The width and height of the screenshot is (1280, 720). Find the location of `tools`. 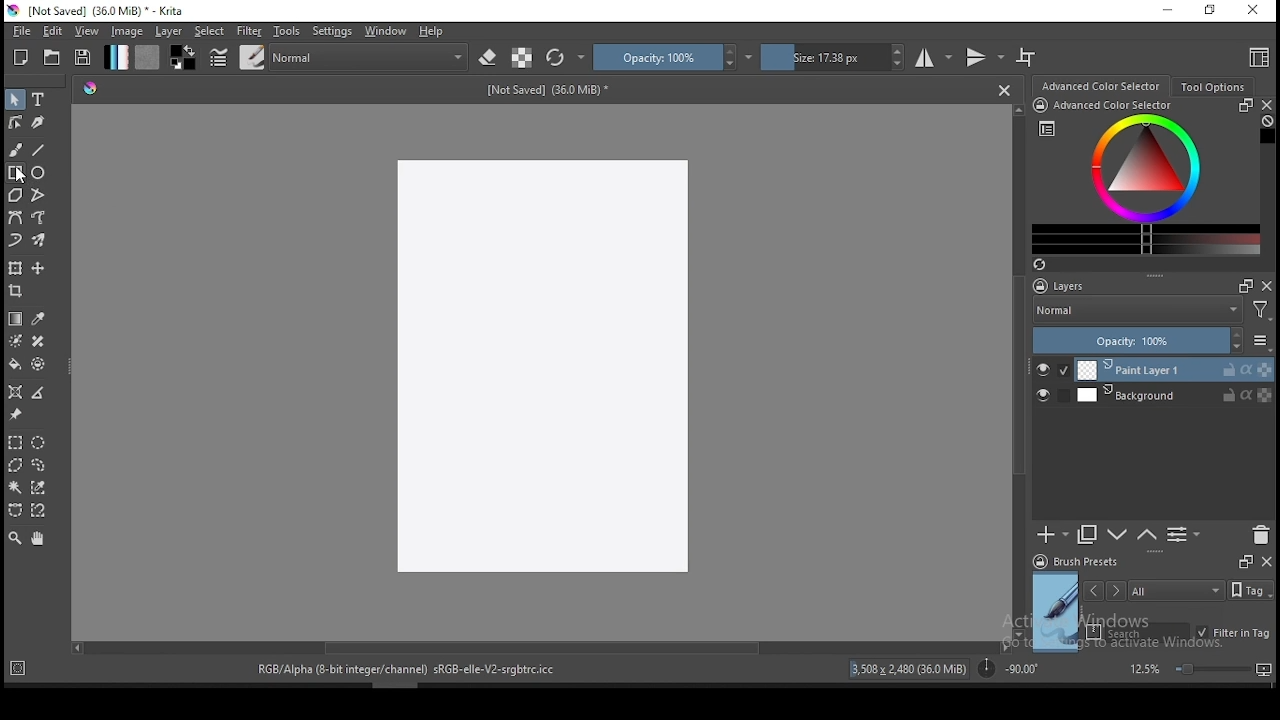

tools is located at coordinates (287, 31).